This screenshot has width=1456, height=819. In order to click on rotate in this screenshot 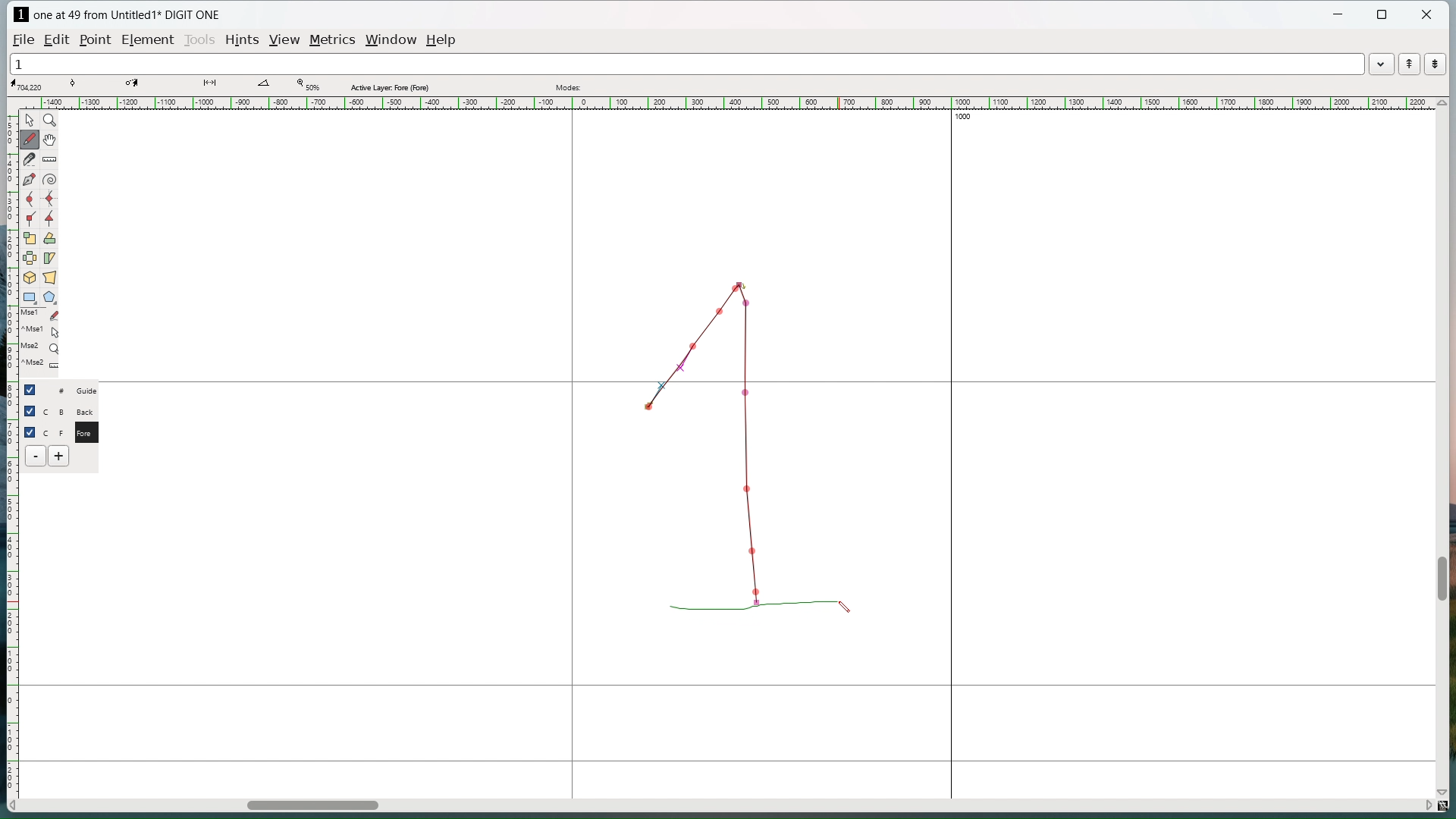, I will do `click(49, 238)`.